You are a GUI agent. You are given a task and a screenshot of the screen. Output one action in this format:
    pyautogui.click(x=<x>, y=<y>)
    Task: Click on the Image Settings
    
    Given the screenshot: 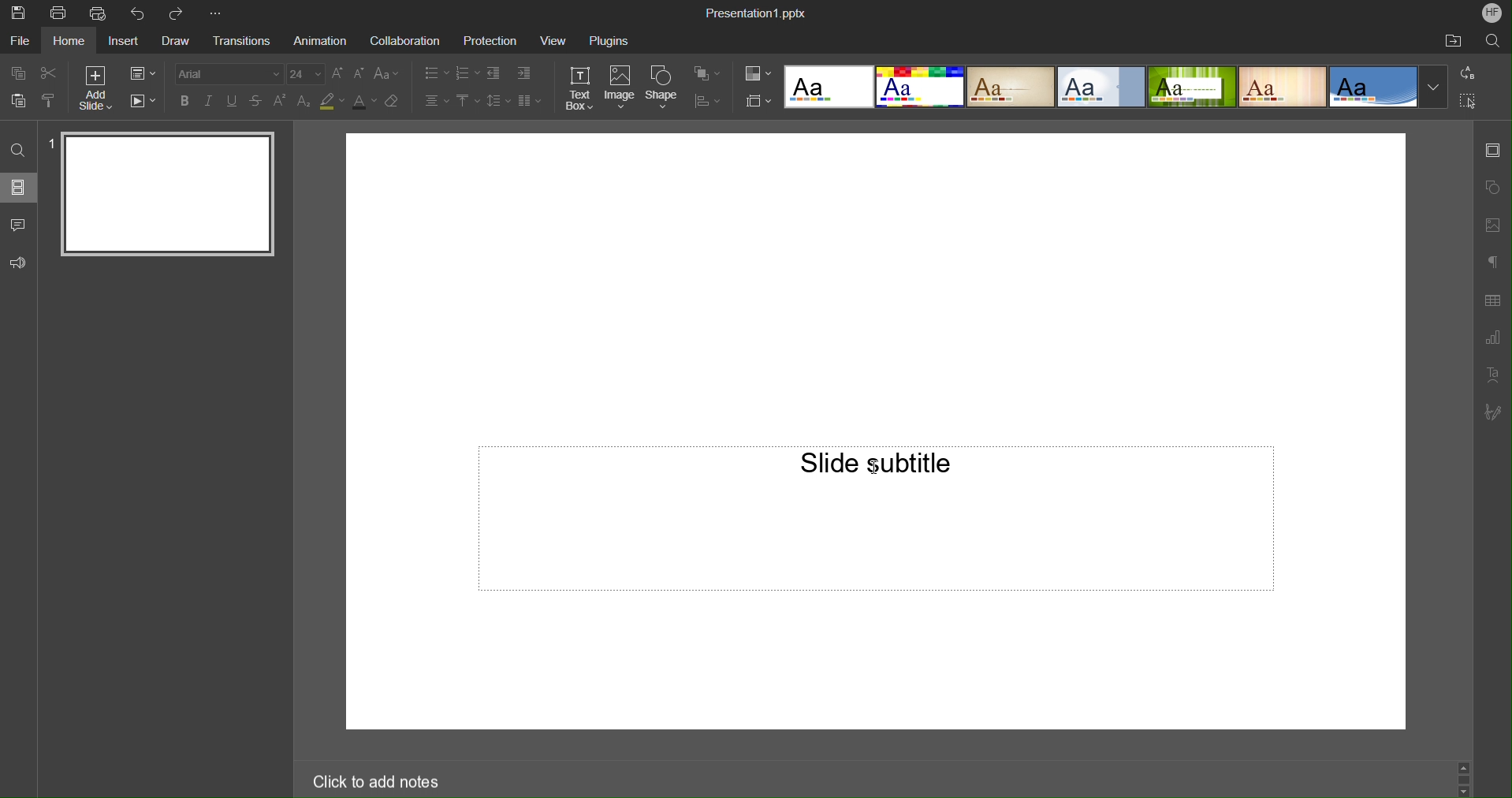 What is the action you would take?
    pyautogui.click(x=1492, y=226)
    